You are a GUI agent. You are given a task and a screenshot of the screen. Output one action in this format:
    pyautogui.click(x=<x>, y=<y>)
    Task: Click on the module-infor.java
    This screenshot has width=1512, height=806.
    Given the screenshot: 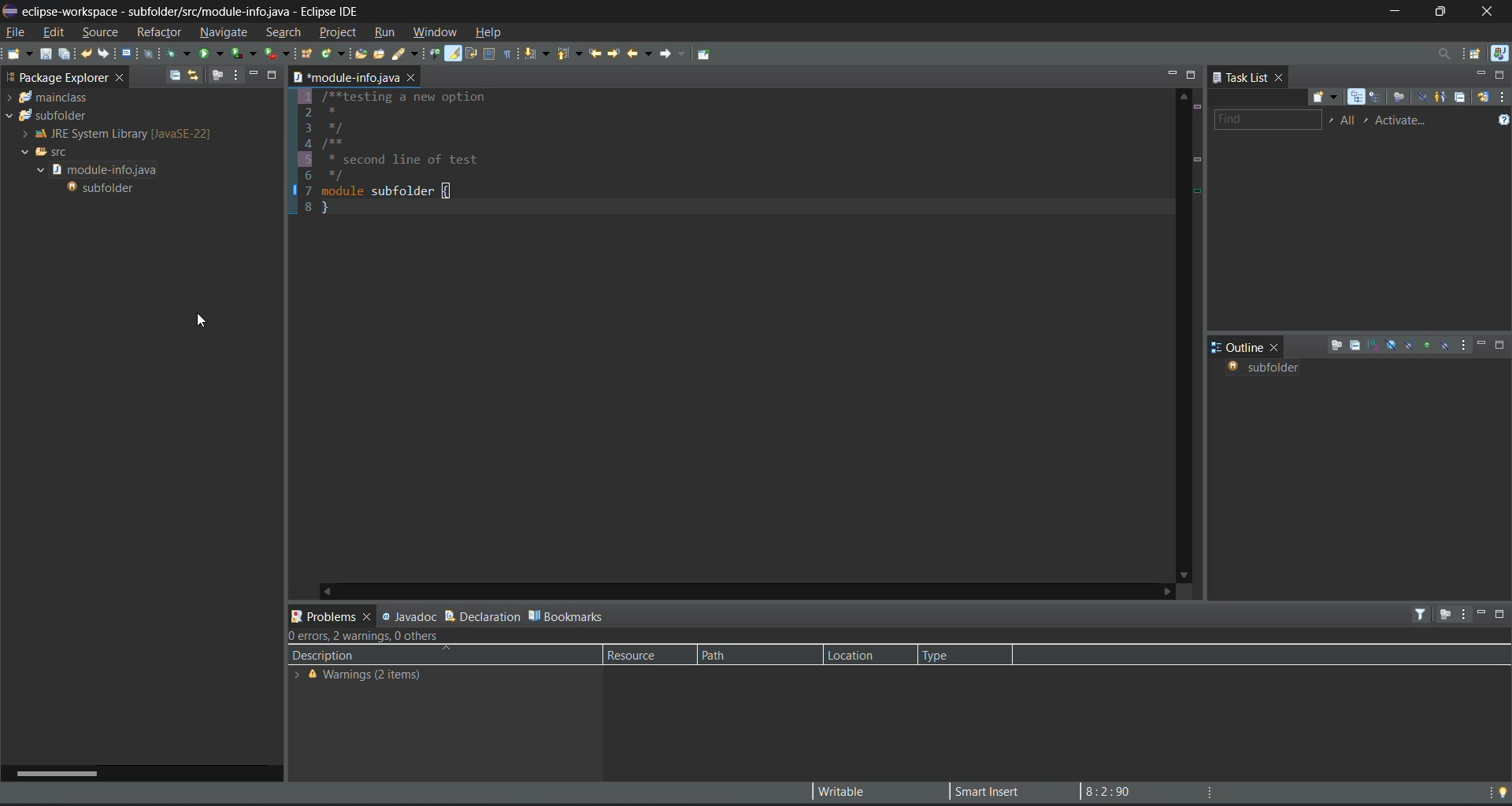 What is the action you would take?
    pyautogui.click(x=346, y=76)
    